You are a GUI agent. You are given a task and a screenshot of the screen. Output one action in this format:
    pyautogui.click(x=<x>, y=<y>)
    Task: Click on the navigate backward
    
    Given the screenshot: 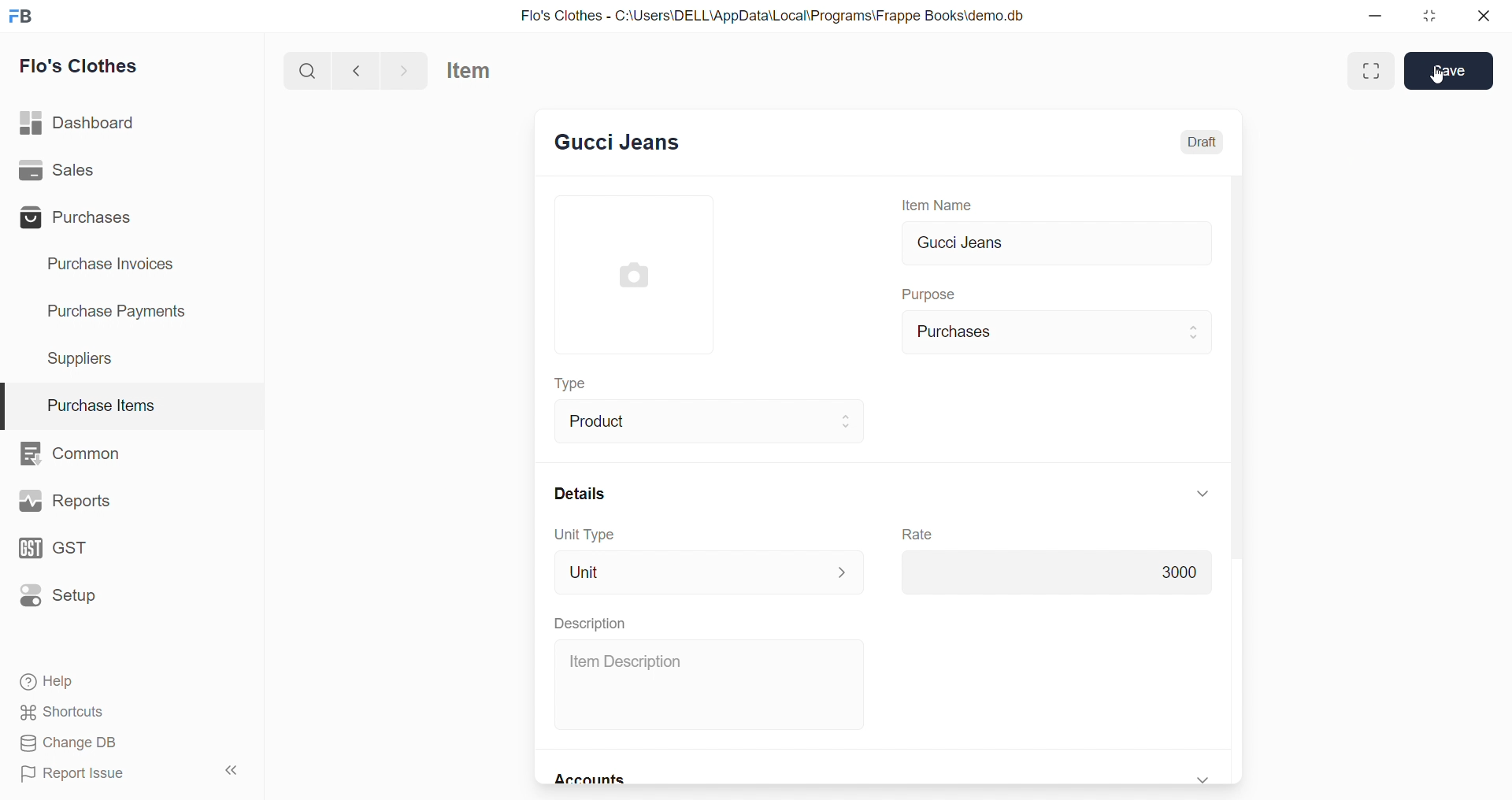 What is the action you would take?
    pyautogui.click(x=356, y=69)
    